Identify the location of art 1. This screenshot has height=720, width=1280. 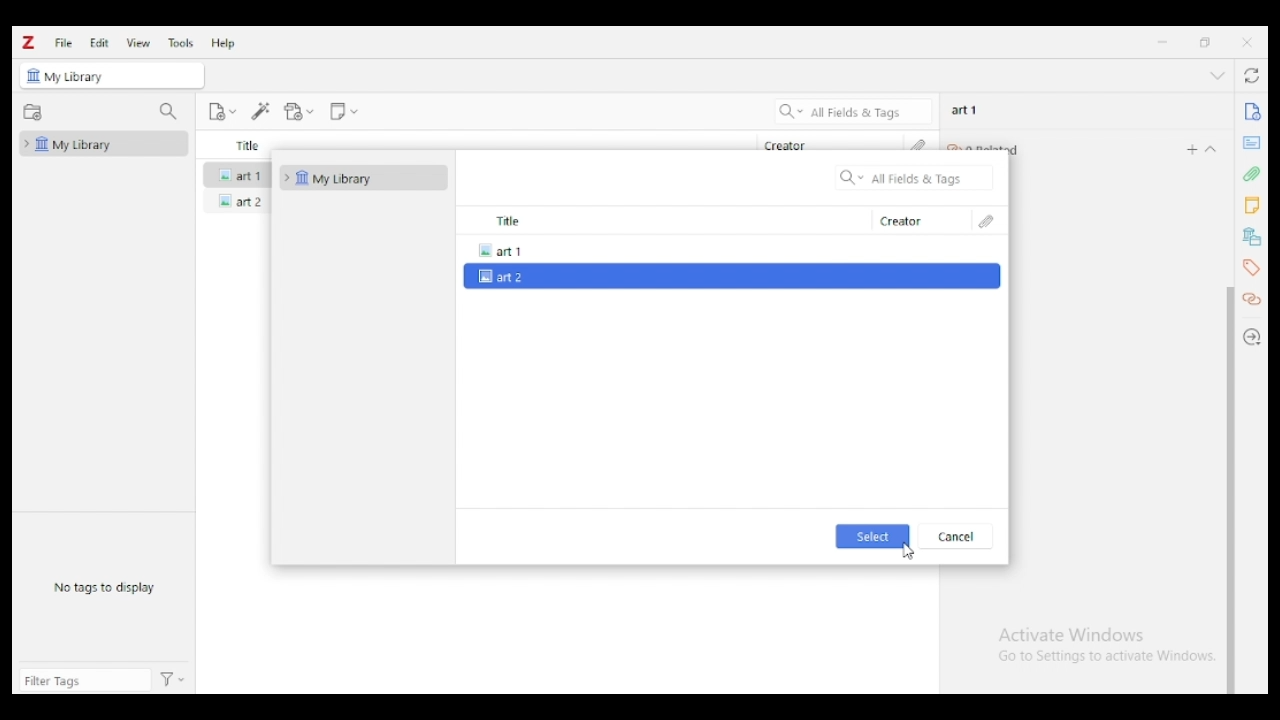
(965, 110).